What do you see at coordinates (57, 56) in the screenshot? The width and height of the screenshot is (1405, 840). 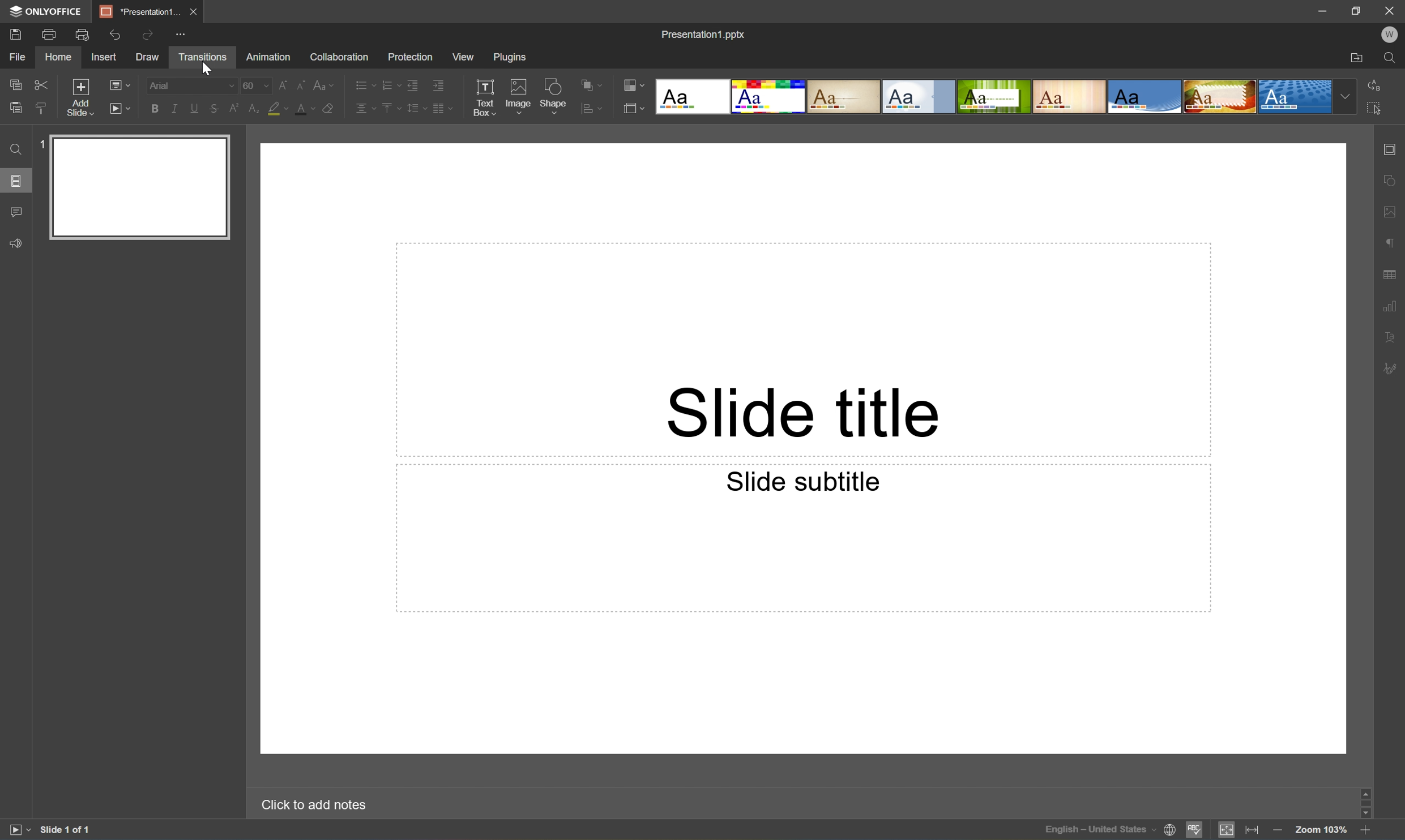 I see `Home` at bounding box center [57, 56].